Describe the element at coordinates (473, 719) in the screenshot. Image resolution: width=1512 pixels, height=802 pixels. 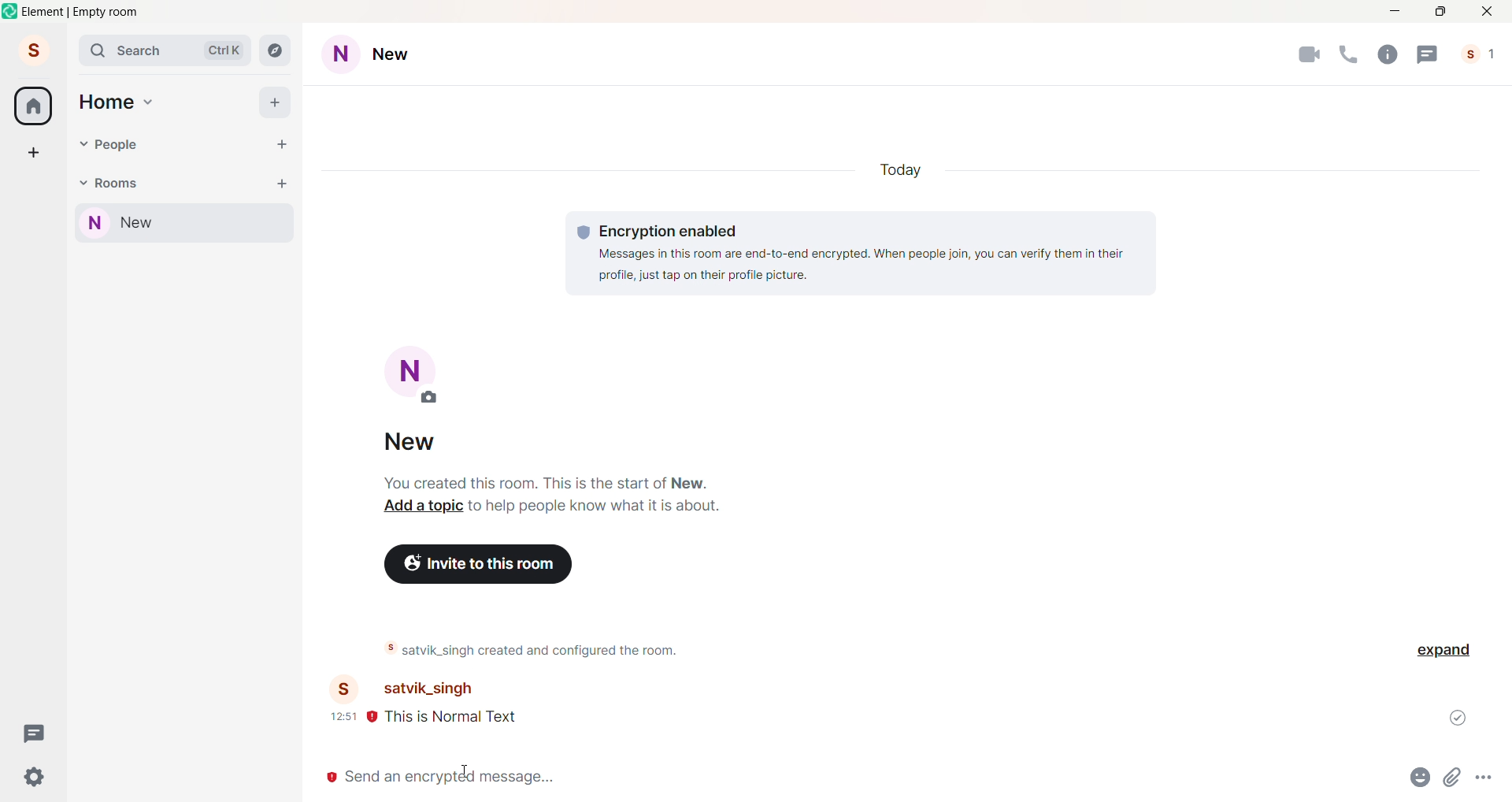
I see `this is normal text` at that location.